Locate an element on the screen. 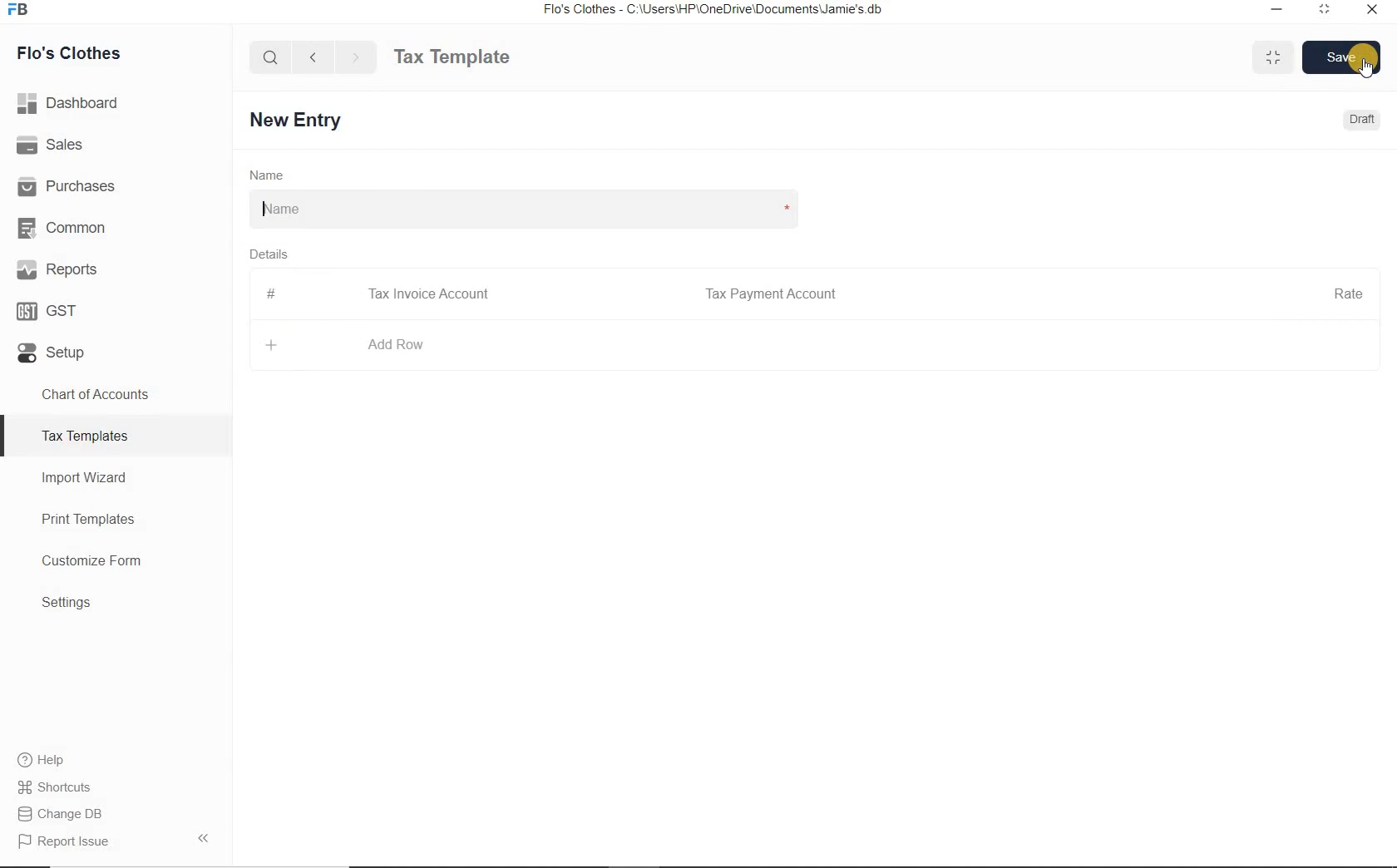 The height and width of the screenshot is (868, 1397). Search Bar is located at coordinates (271, 56).